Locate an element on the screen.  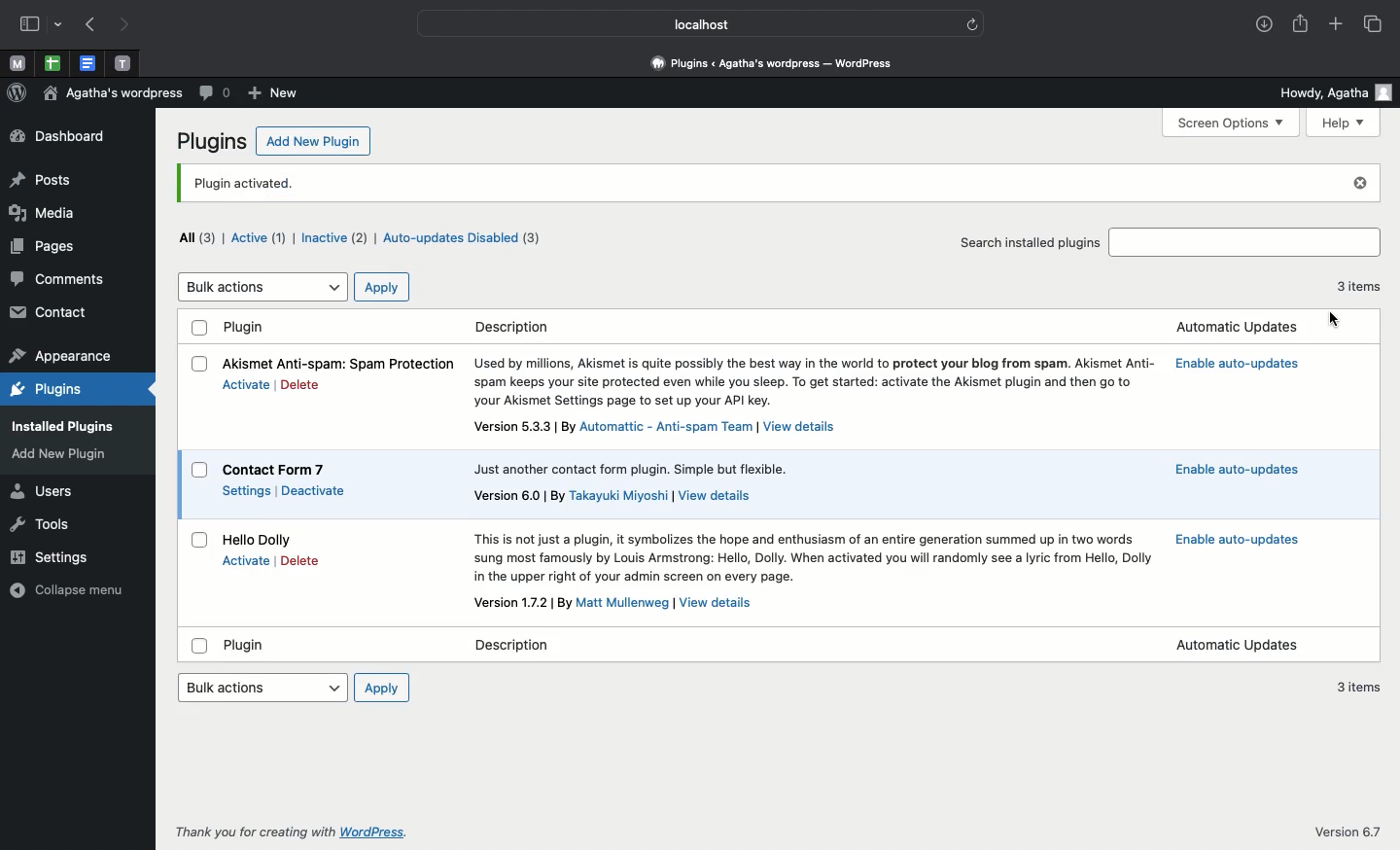
Pinned tabs is located at coordinates (18, 65).